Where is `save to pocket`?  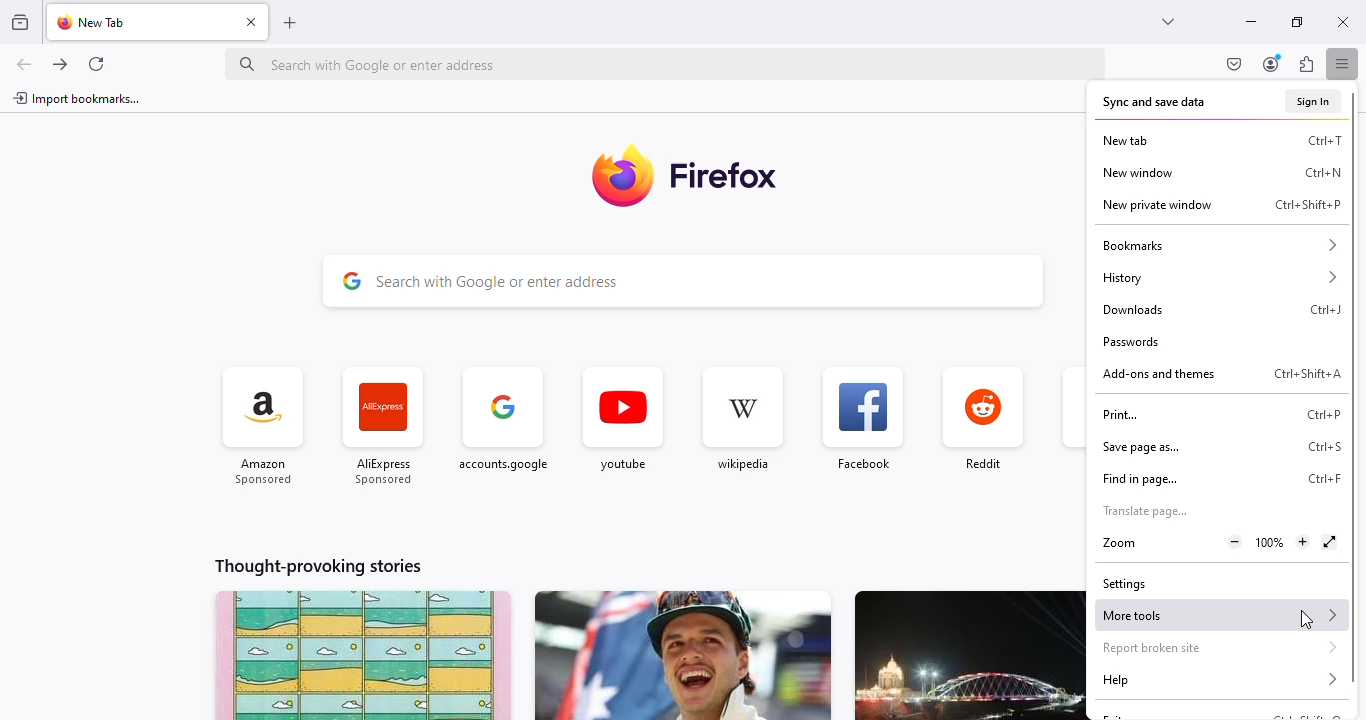 save to pocket is located at coordinates (1235, 64).